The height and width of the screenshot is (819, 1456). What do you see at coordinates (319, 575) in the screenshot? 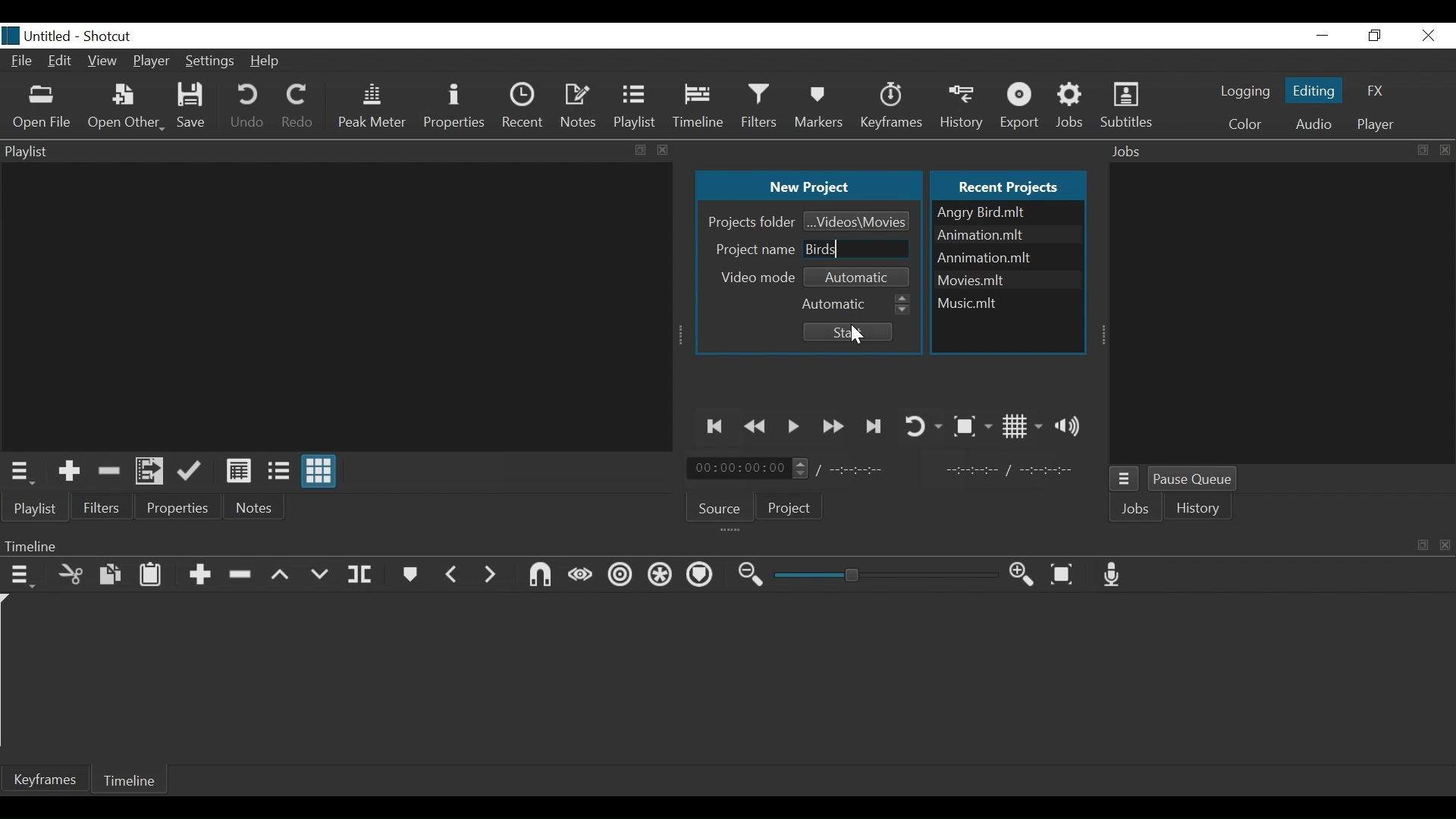
I see `Overwrite` at bounding box center [319, 575].